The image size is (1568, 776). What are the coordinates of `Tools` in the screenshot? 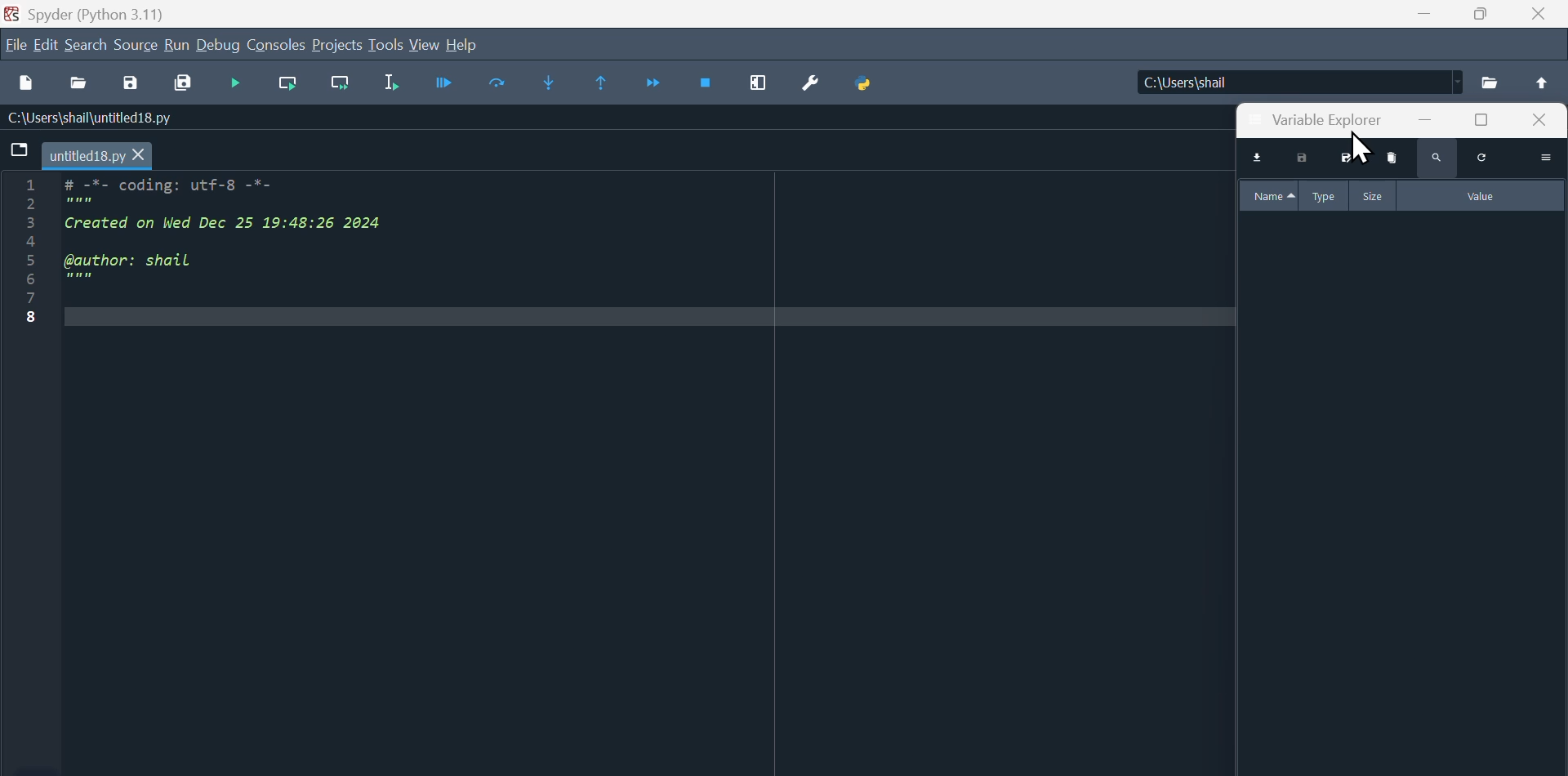 It's located at (385, 46).